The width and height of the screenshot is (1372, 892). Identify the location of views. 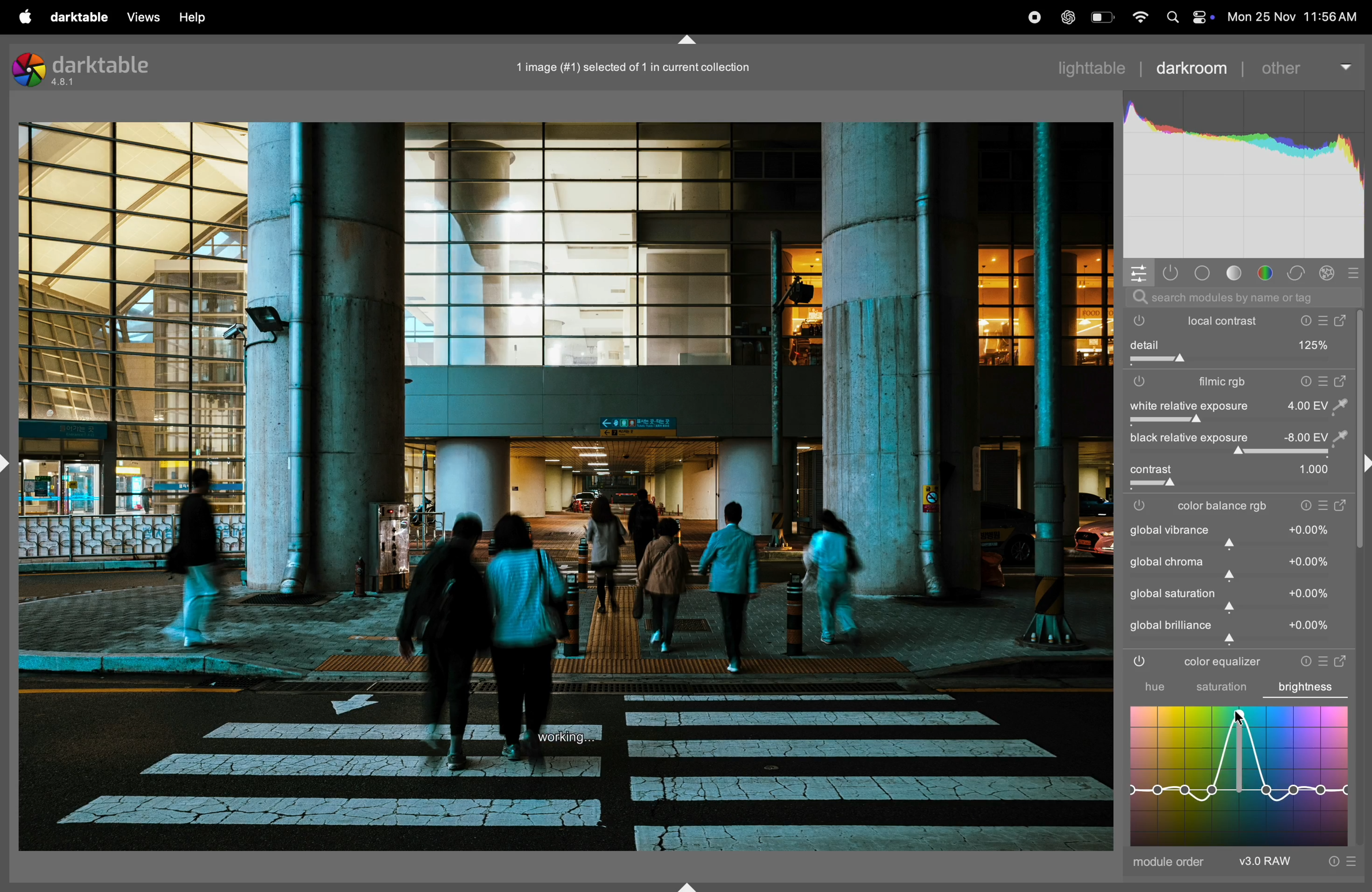
(142, 17).